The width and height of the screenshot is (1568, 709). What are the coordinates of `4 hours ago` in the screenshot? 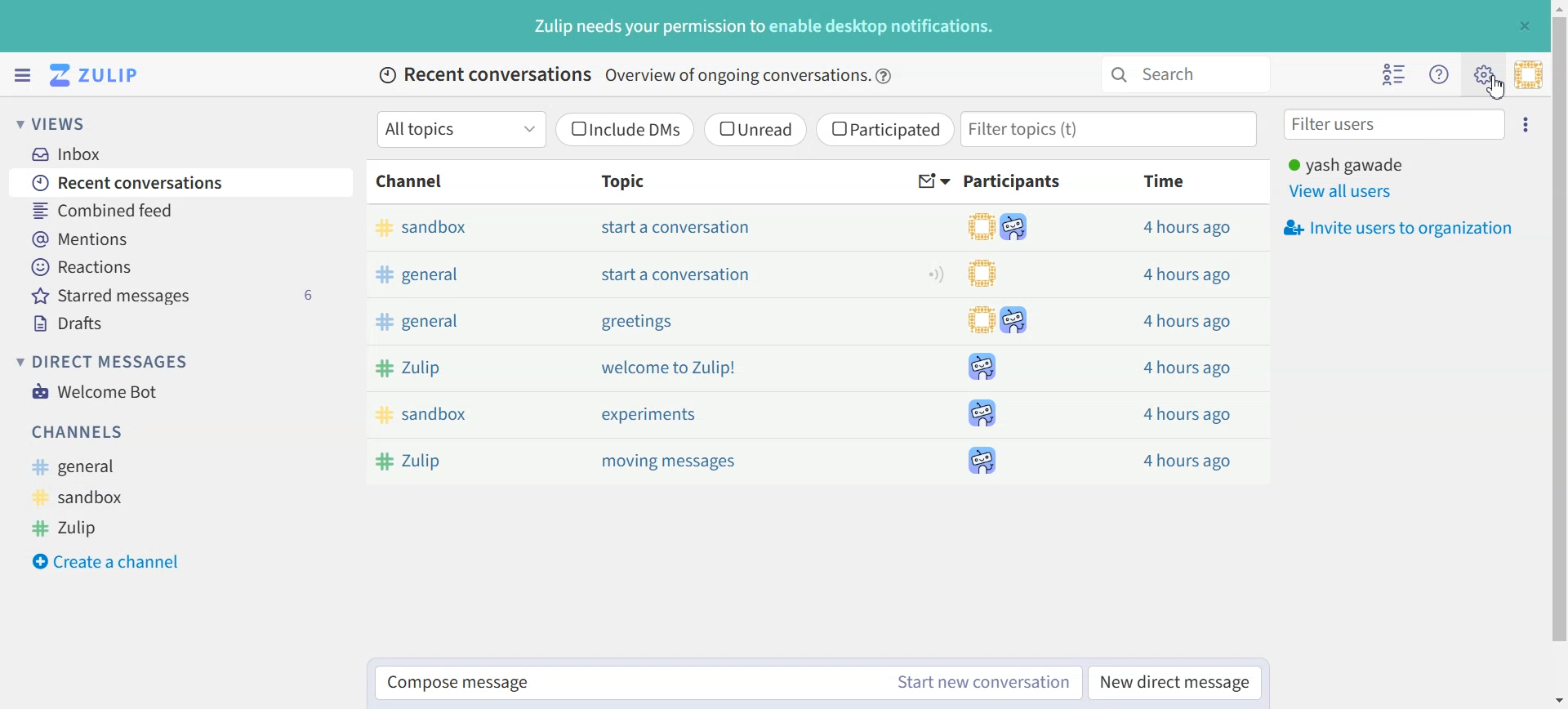 It's located at (1187, 457).